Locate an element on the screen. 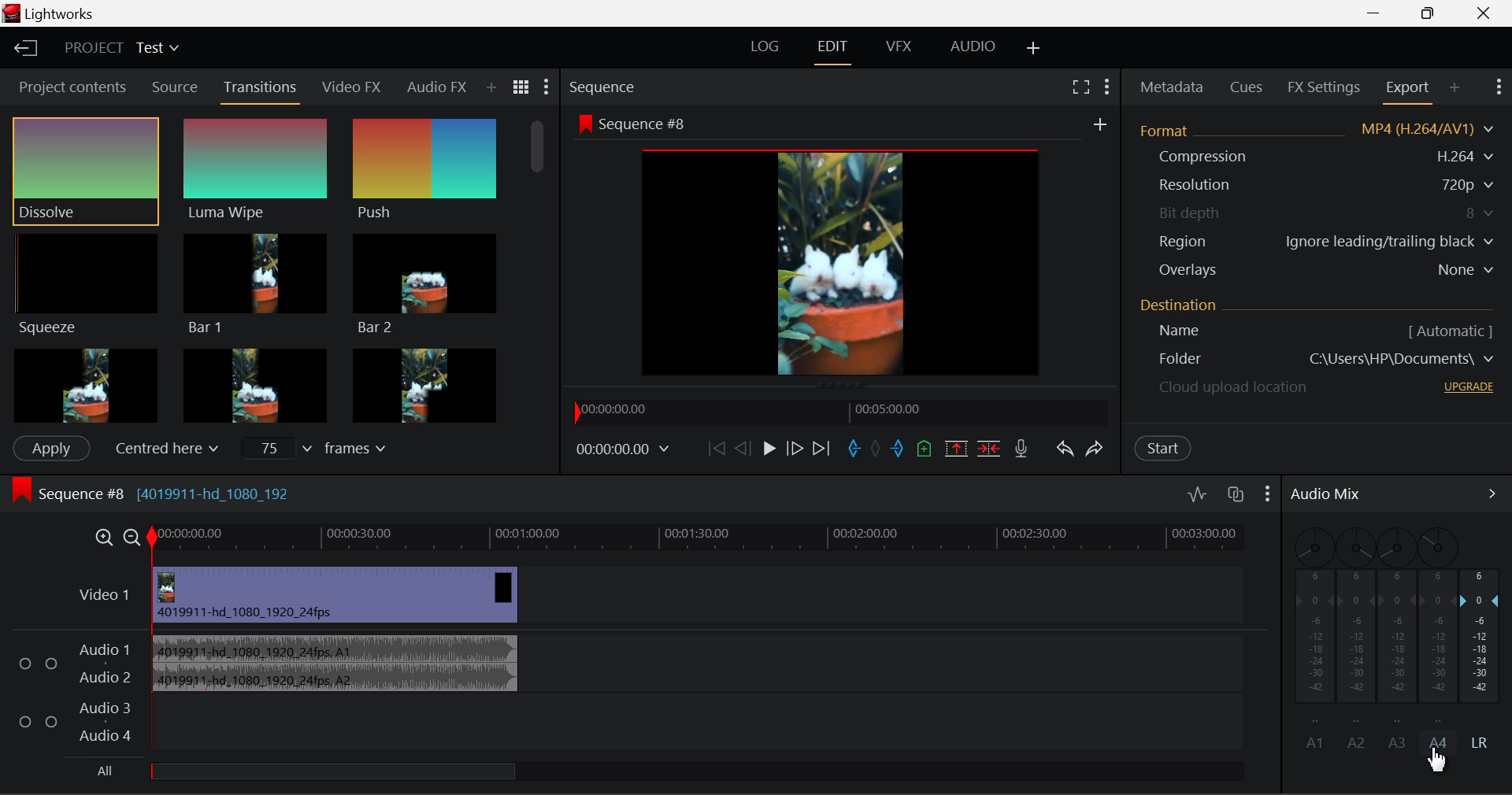 The height and width of the screenshot is (795, 1512). Sequence is located at coordinates (610, 86).